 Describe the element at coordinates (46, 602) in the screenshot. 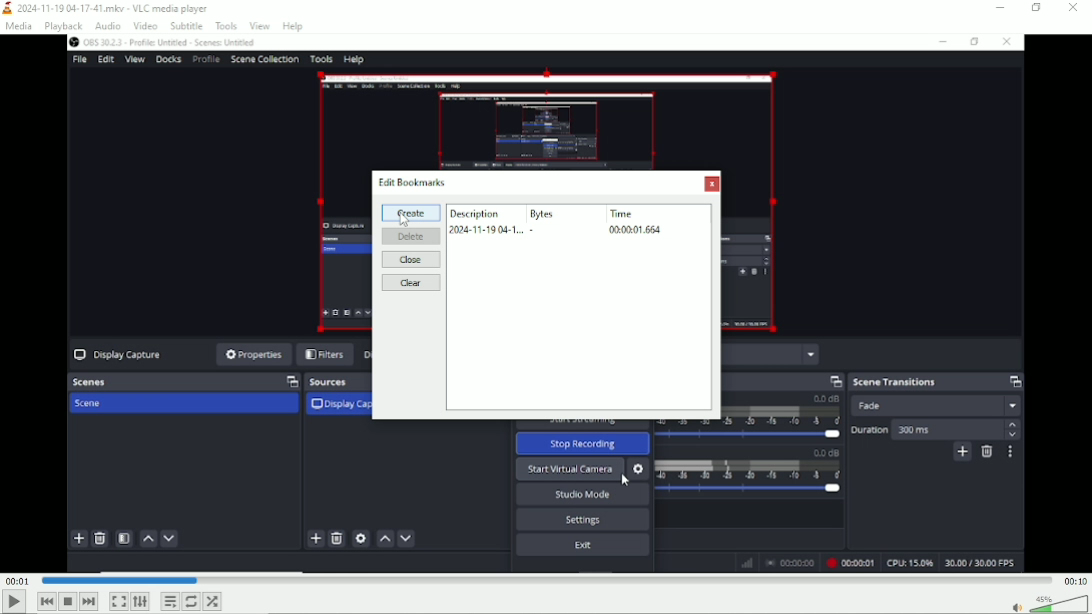

I see `Previous` at that location.